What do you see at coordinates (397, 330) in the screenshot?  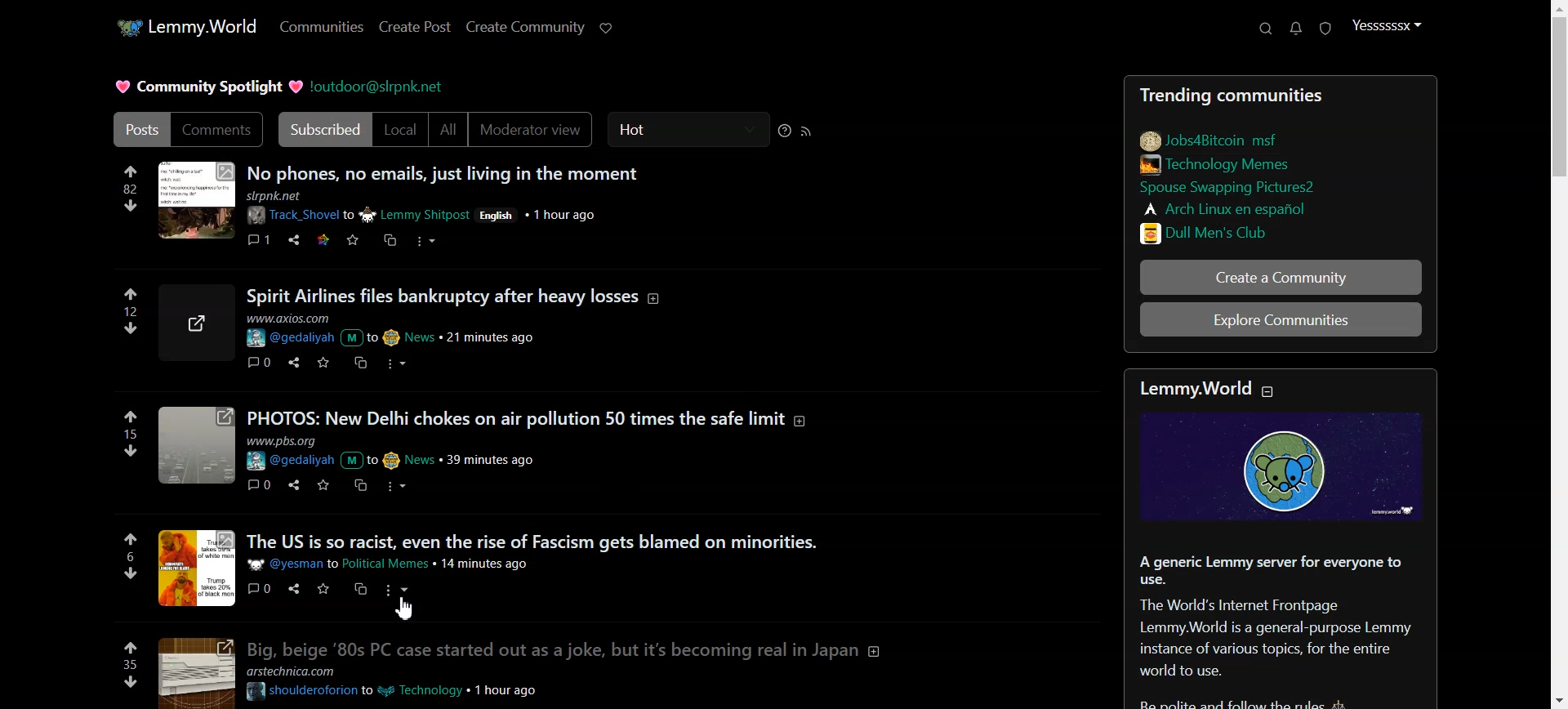 I see `post details` at bounding box center [397, 330].